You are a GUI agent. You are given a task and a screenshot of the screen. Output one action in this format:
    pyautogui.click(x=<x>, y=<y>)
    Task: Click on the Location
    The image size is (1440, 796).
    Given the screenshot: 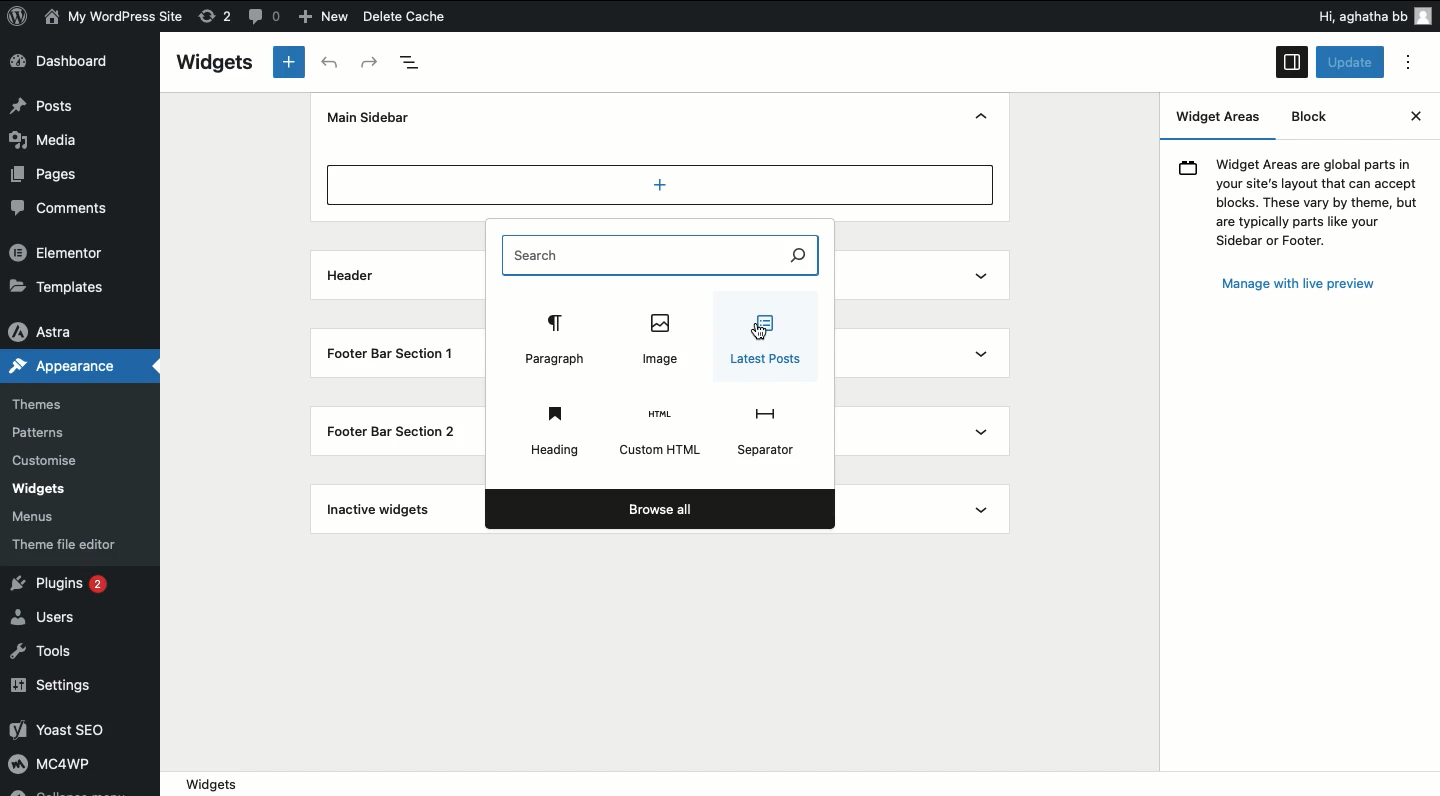 What is the action you would take?
    pyautogui.click(x=809, y=784)
    